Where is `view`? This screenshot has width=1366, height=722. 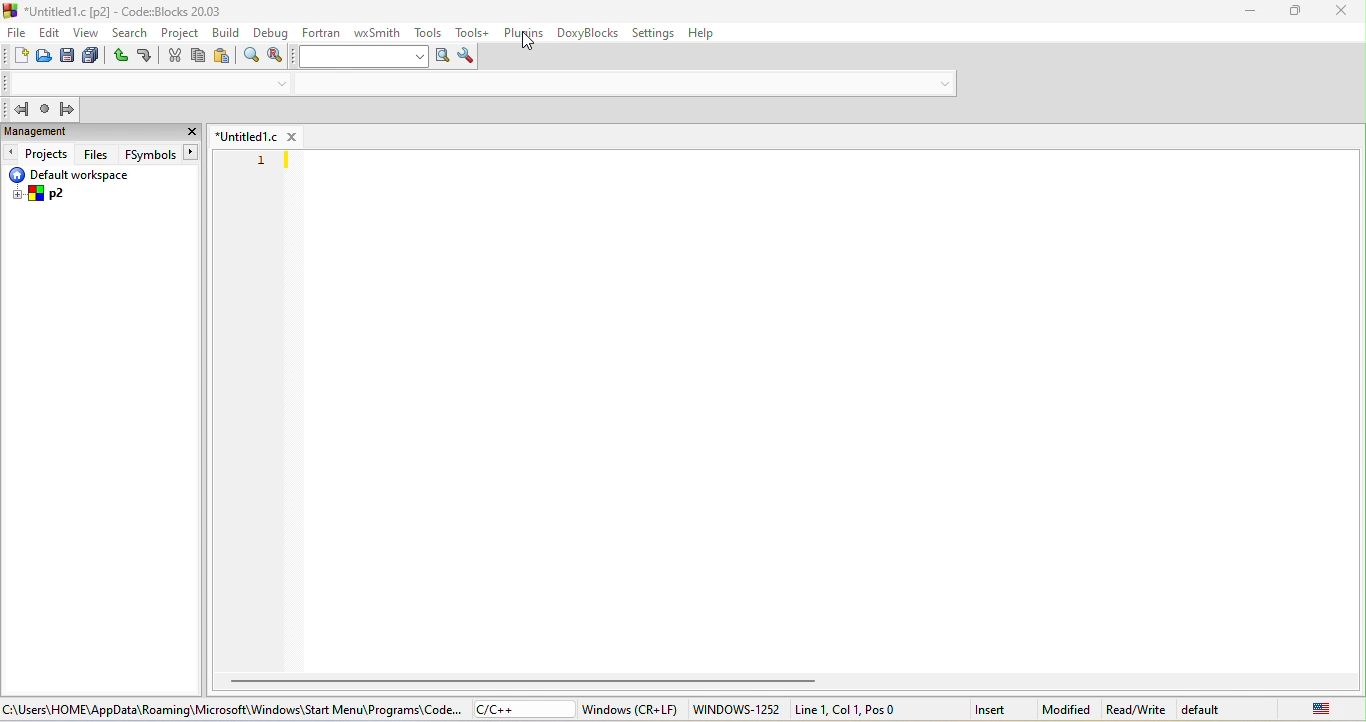
view is located at coordinates (86, 32).